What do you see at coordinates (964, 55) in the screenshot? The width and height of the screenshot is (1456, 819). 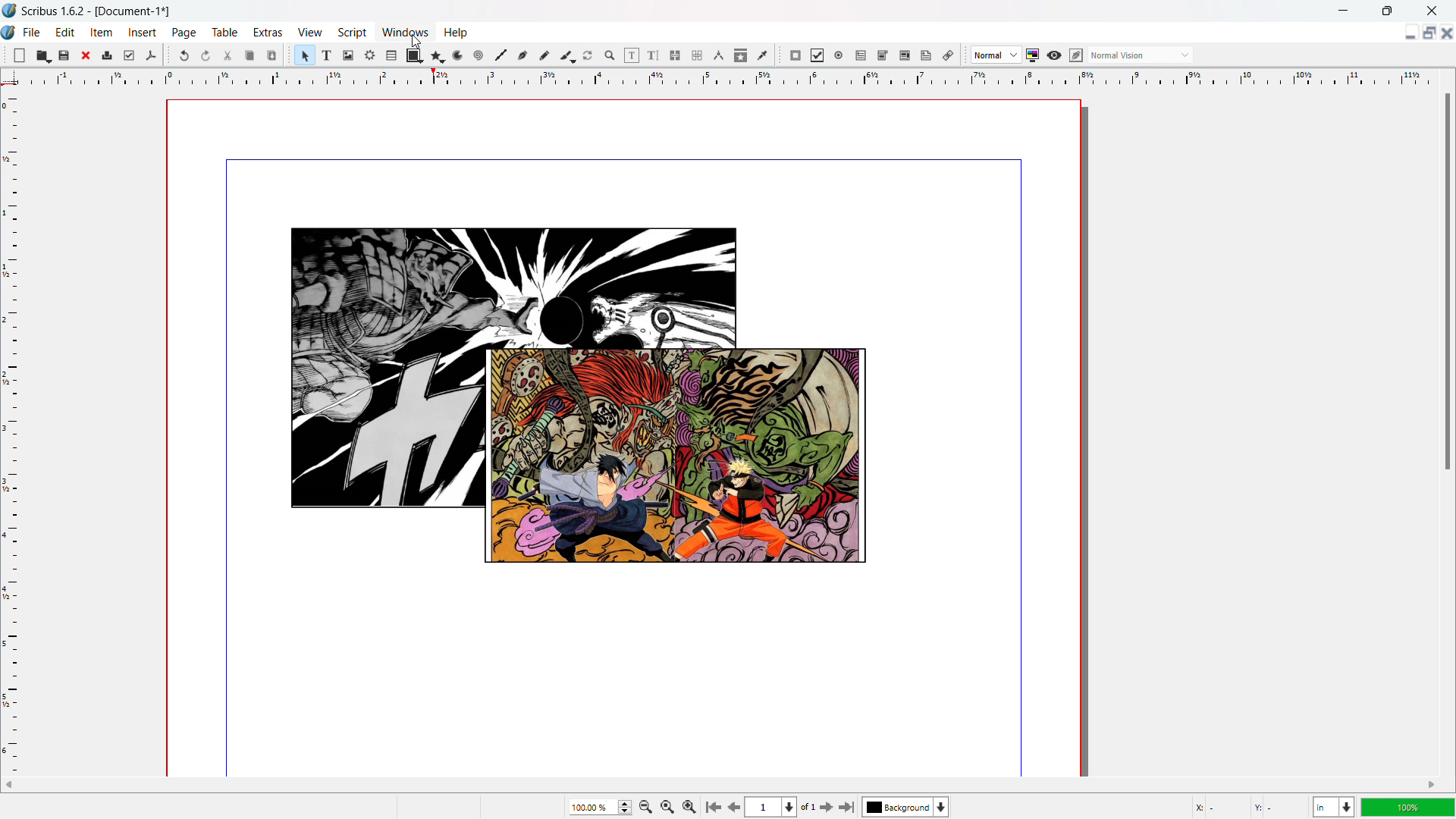 I see `move toolbox` at bounding box center [964, 55].